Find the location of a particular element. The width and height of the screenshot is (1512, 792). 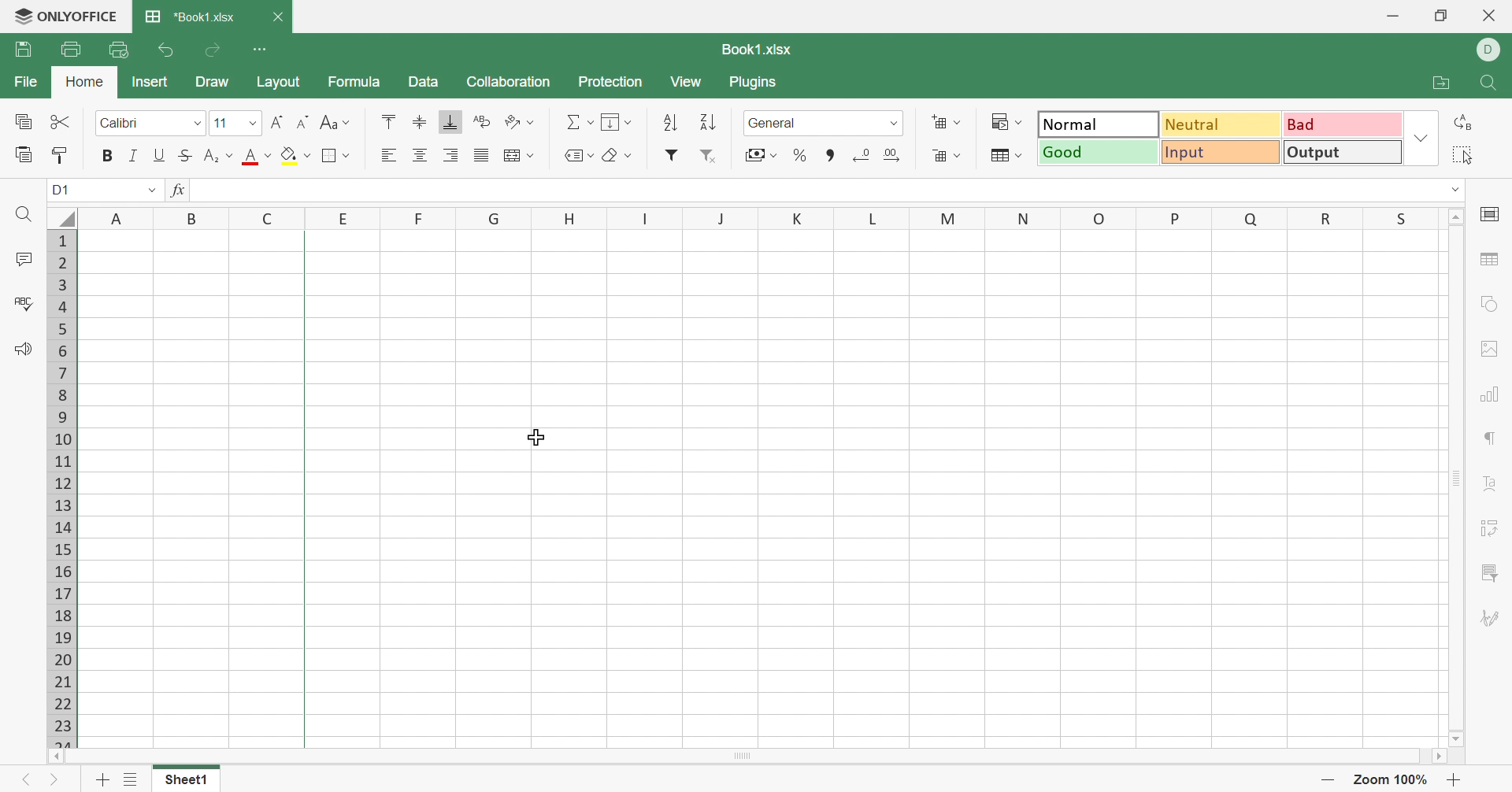

Formula is located at coordinates (355, 80).